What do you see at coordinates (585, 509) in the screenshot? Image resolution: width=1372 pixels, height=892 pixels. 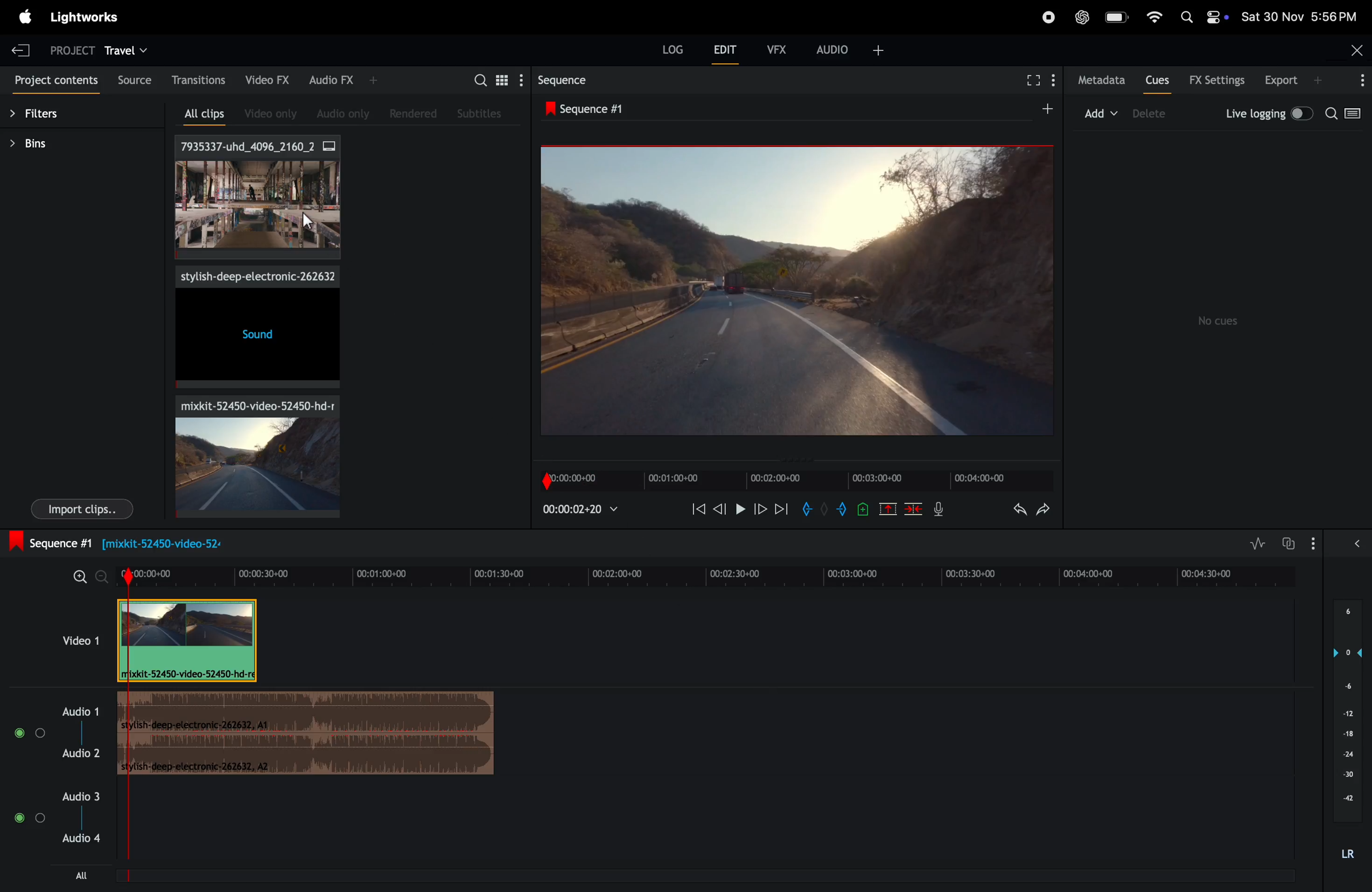 I see `playback time` at bounding box center [585, 509].